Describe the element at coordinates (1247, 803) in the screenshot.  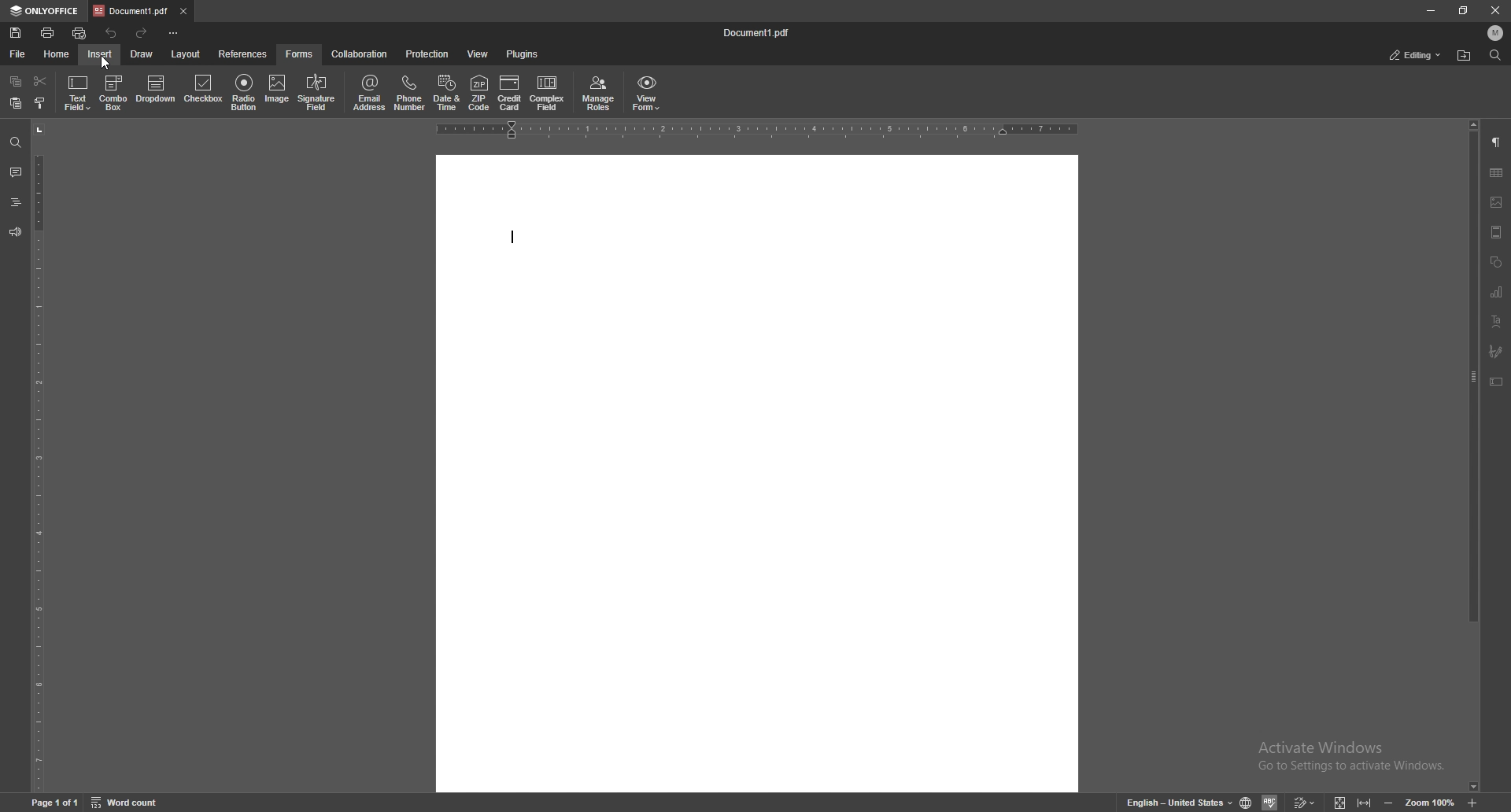
I see `set doc language` at that location.